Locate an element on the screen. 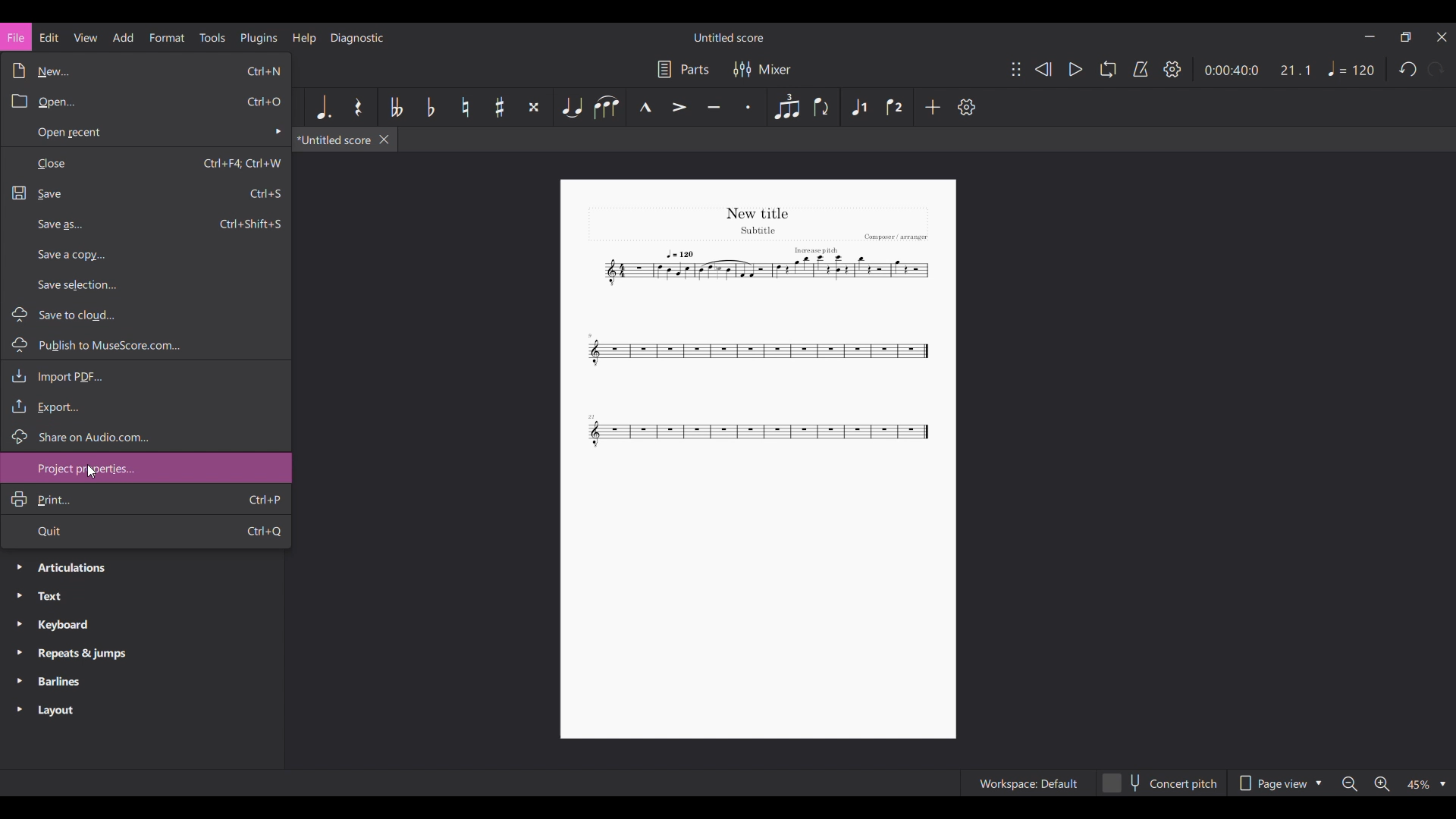 Image resolution: width=1456 pixels, height=819 pixels. Mixer settings is located at coordinates (762, 69).